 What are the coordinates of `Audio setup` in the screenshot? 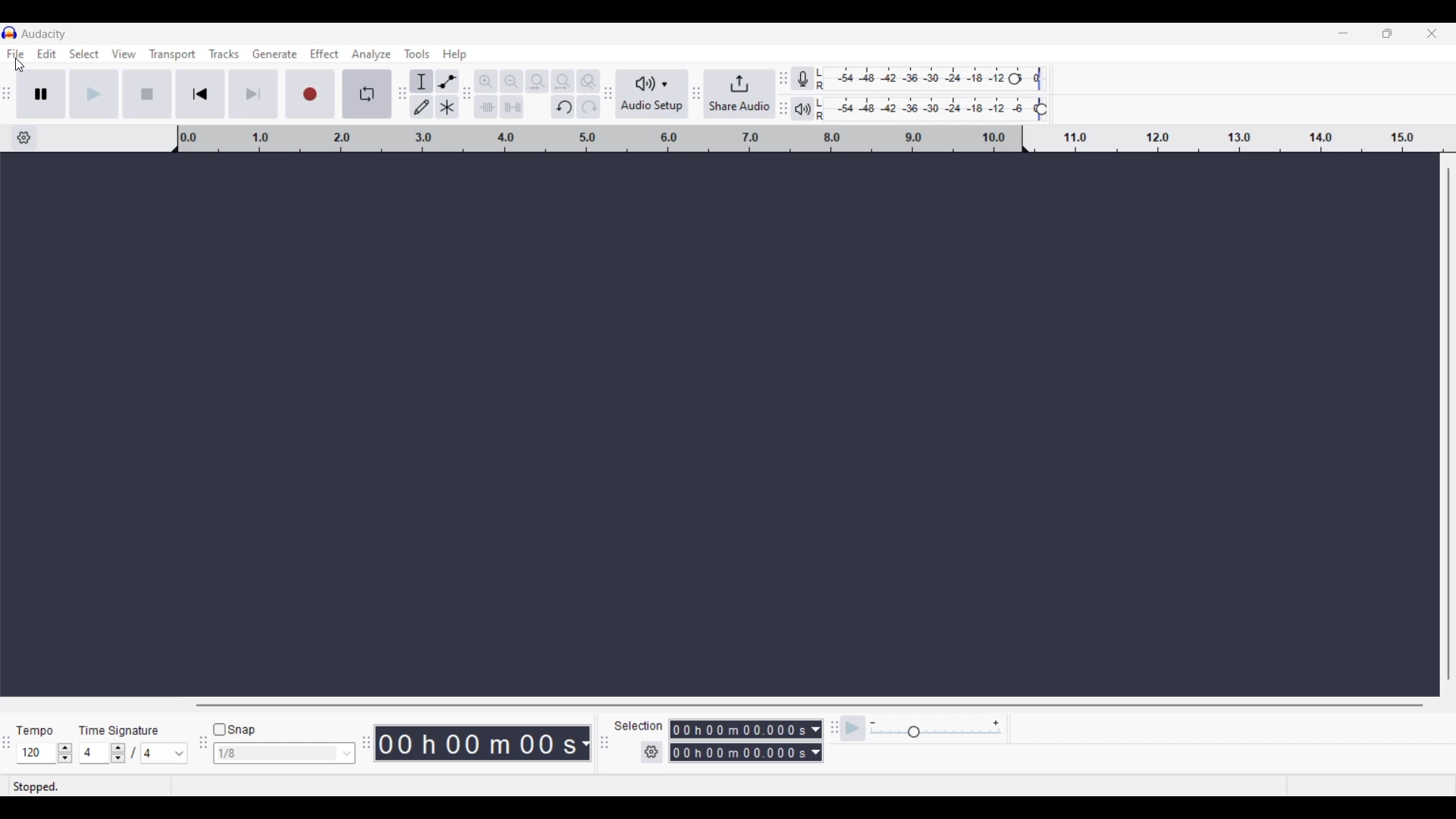 It's located at (650, 94).